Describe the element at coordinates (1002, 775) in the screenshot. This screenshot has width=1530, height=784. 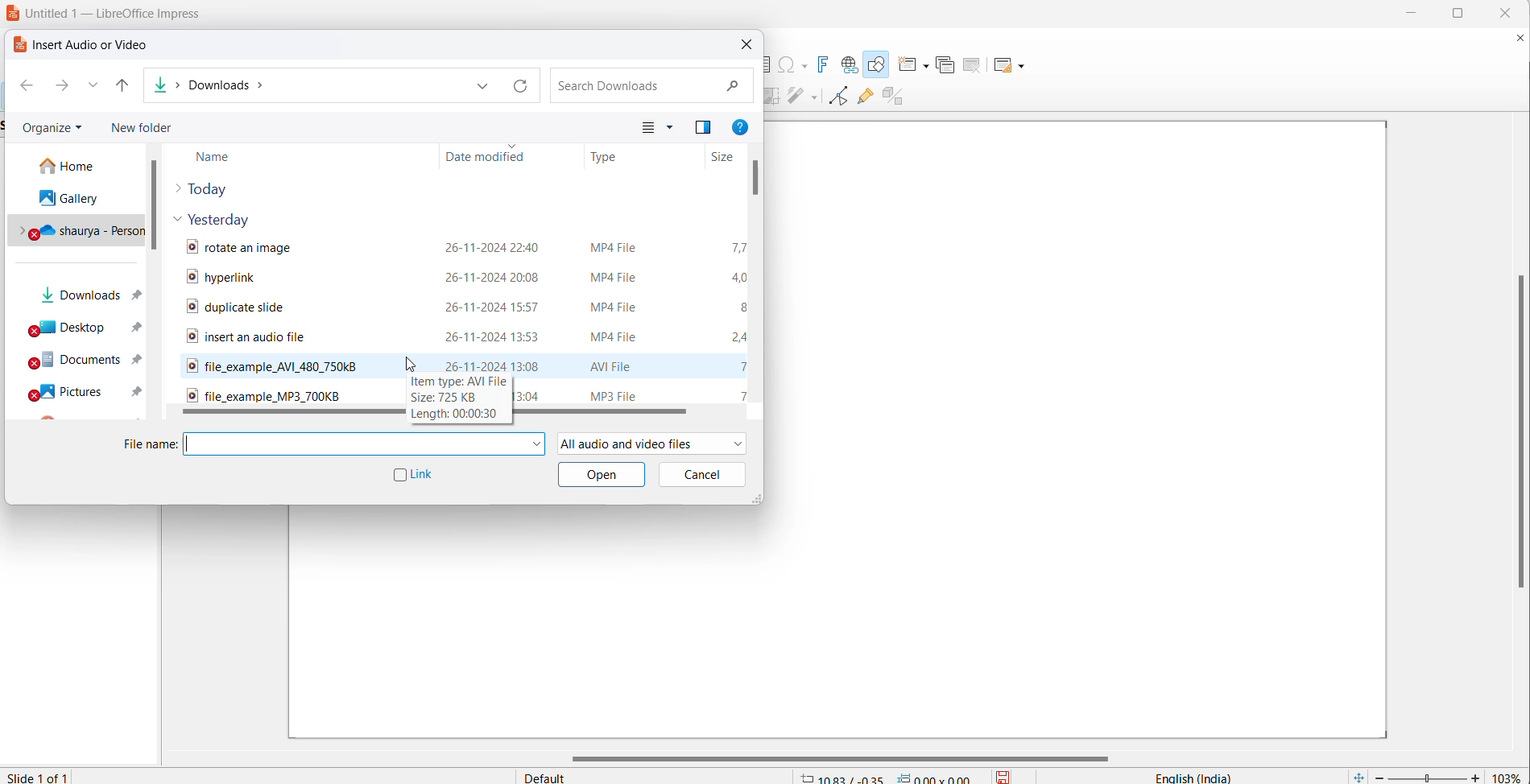
I see `save` at that location.